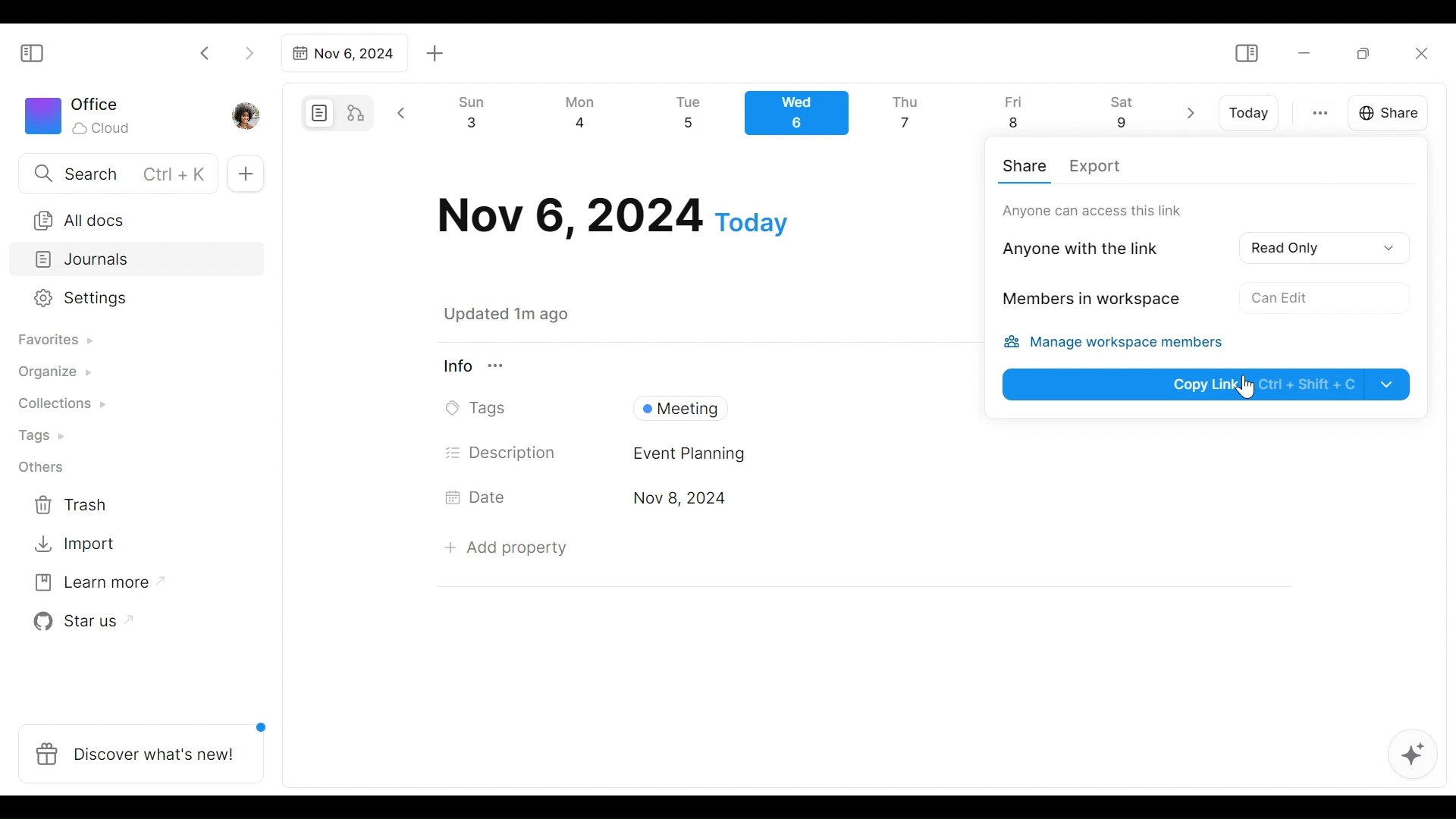  What do you see at coordinates (39, 52) in the screenshot?
I see `Show/Hide Sidebar` at bounding box center [39, 52].